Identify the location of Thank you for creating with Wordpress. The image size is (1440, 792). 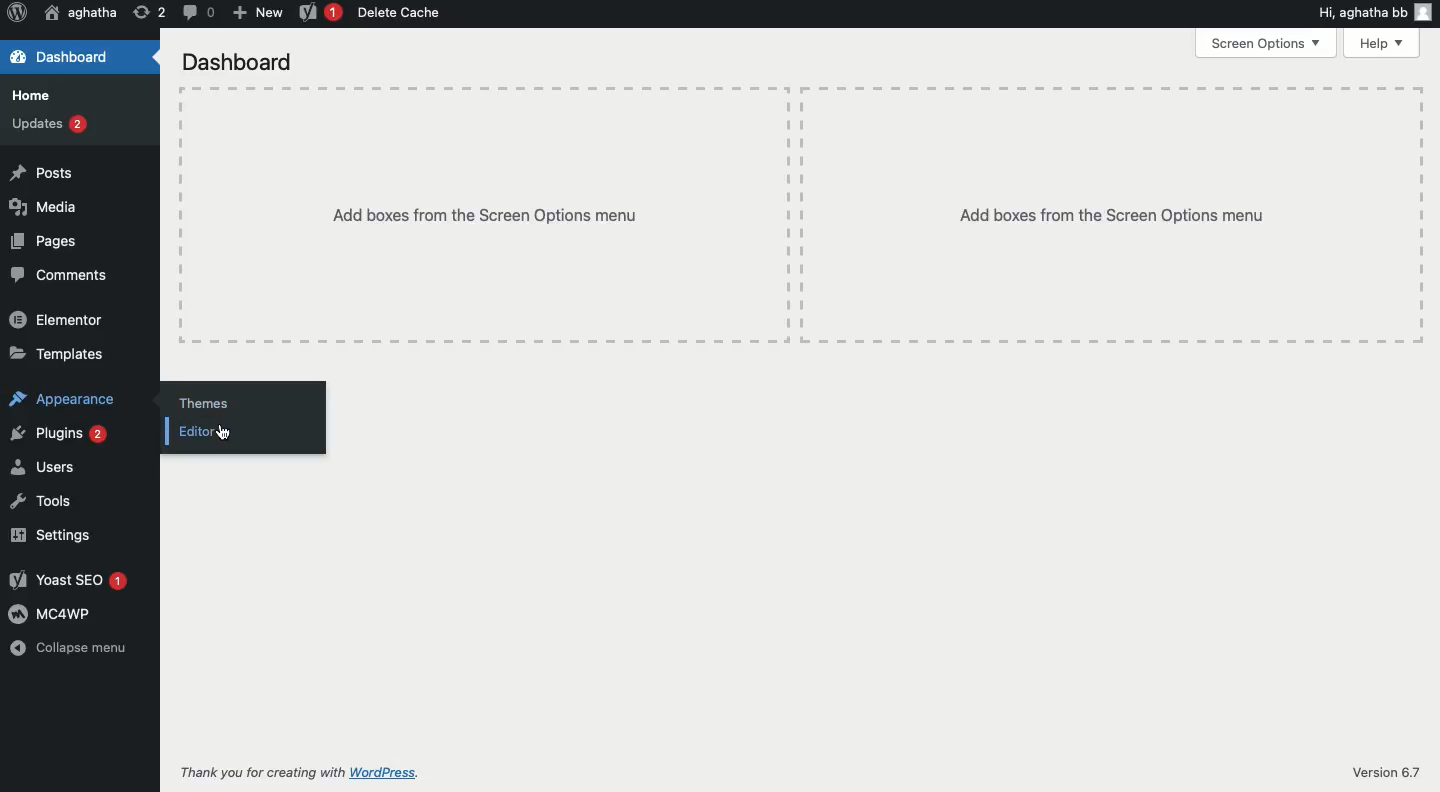
(298, 773).